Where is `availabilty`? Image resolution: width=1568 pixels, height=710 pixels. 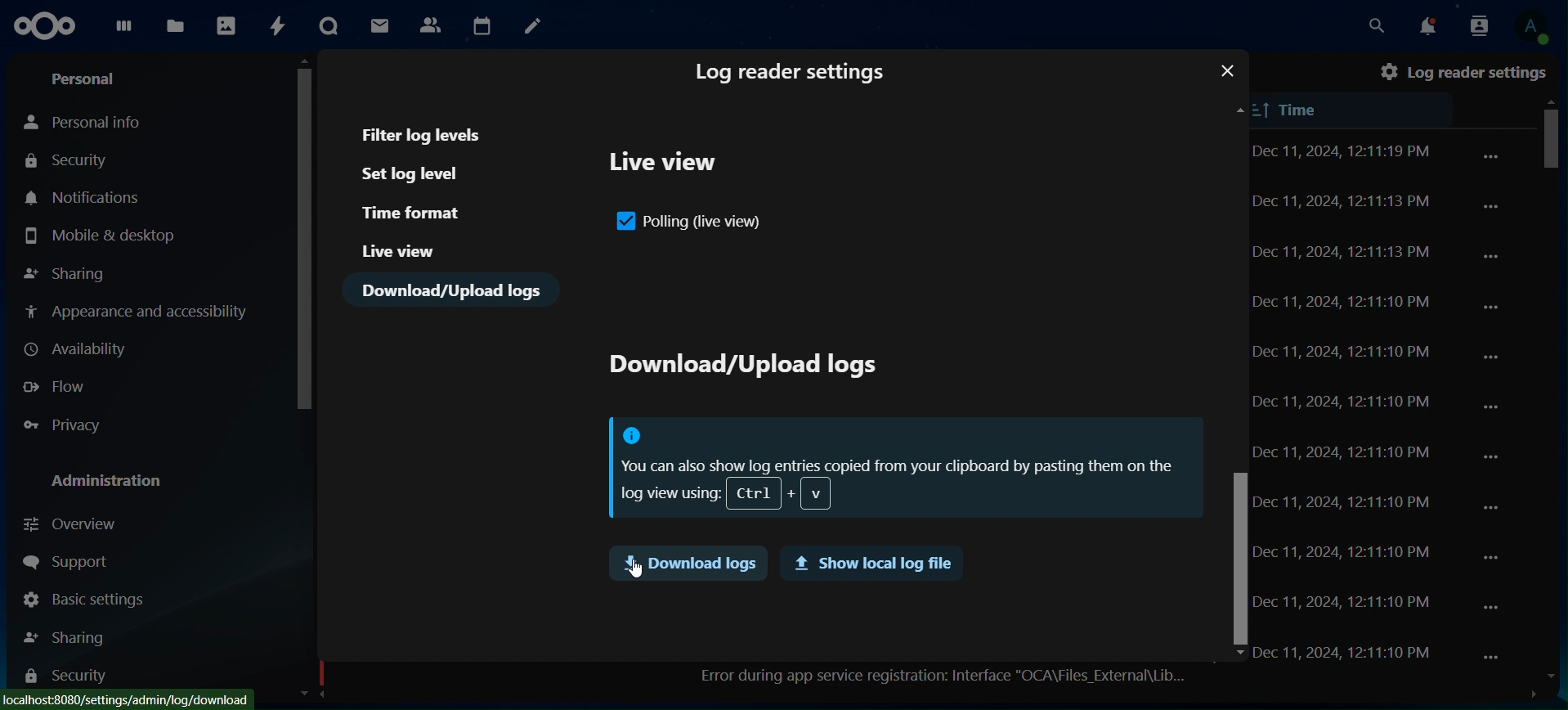 availabilty is located at coordinates (80, 349).